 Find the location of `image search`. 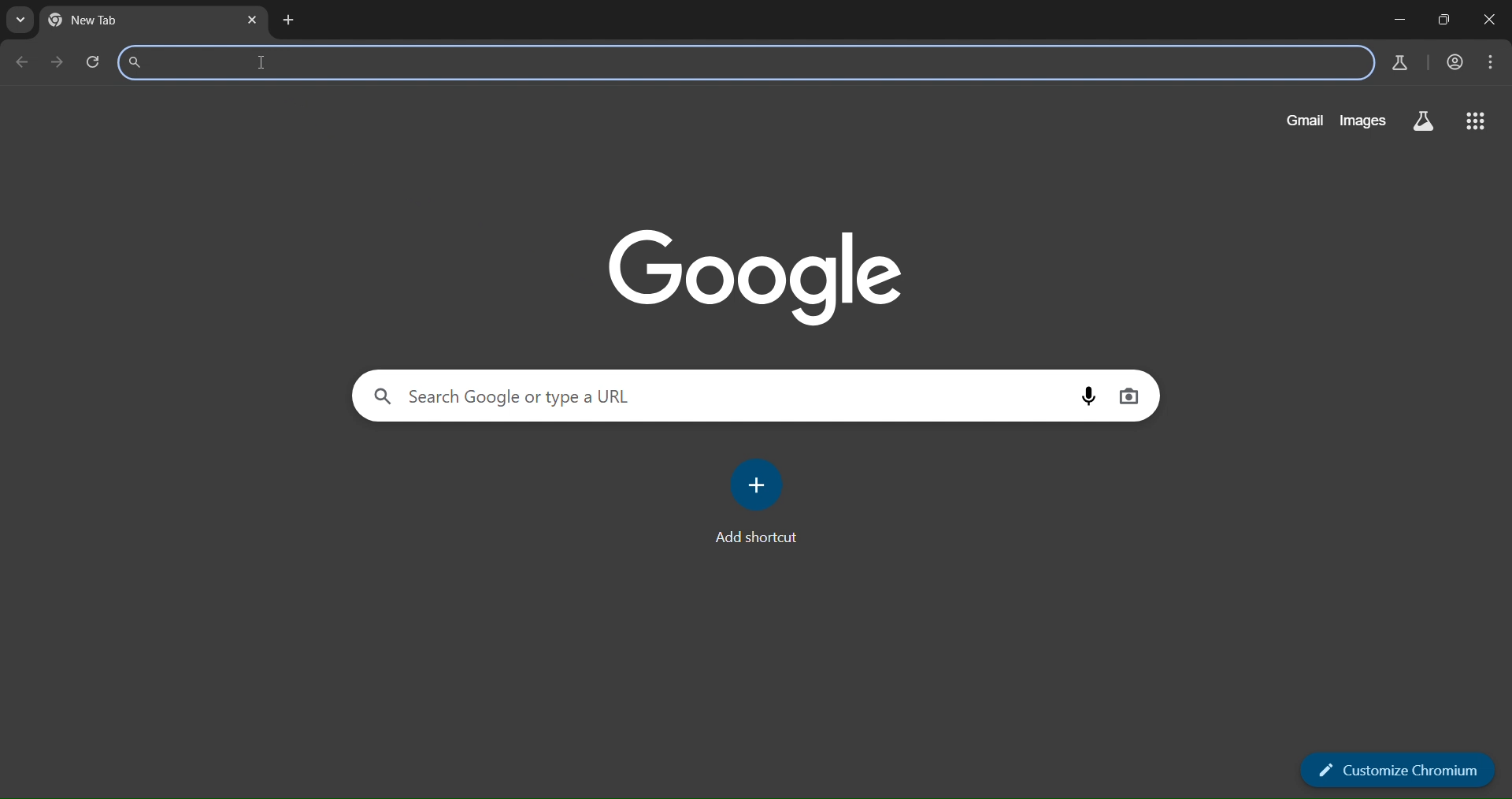

image search is located at coordinates (1130, 394).